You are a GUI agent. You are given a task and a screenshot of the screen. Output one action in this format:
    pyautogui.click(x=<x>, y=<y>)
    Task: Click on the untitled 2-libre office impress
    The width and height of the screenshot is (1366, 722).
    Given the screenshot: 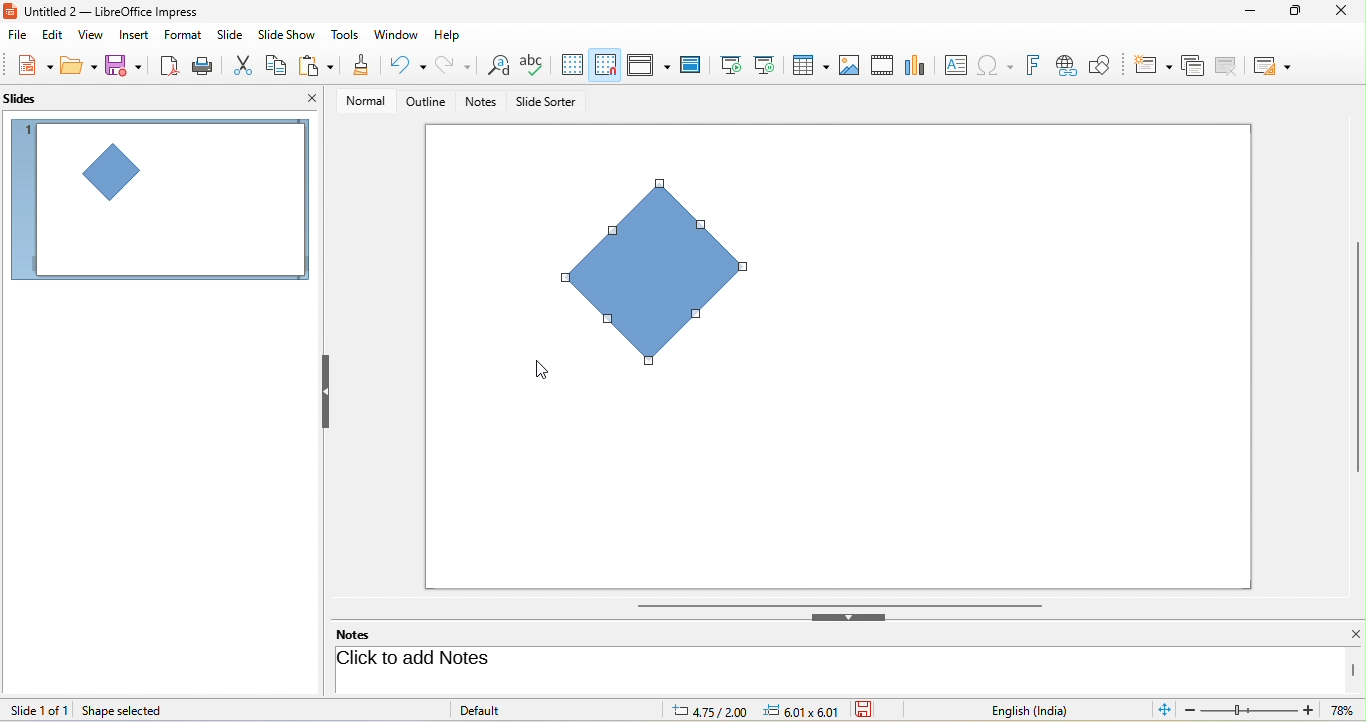 What is the action you would take?
    pyautogui.click(x=123, y=10)
    